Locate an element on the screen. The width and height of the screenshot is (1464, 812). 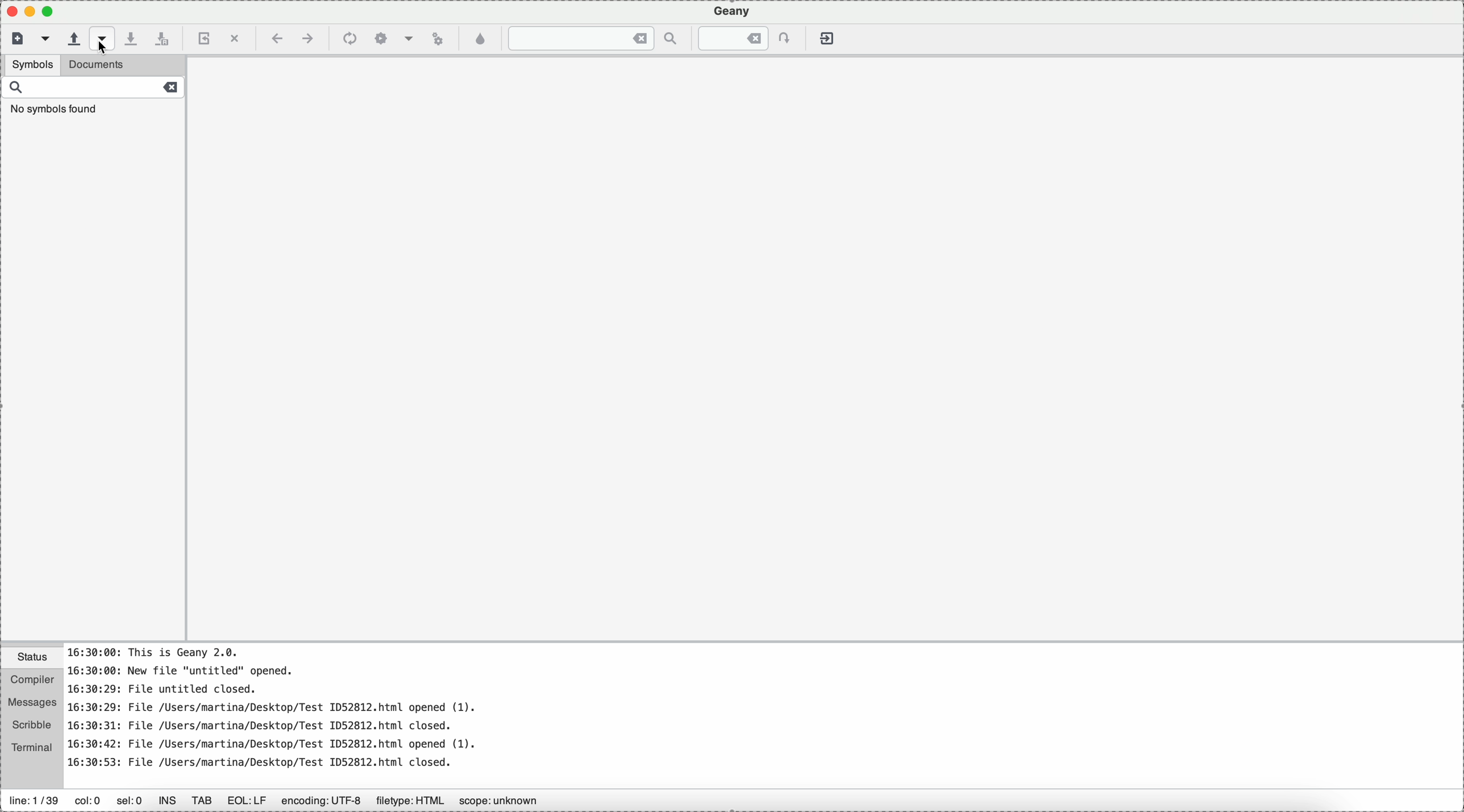
build the current file is located at coordinates (394, 38).